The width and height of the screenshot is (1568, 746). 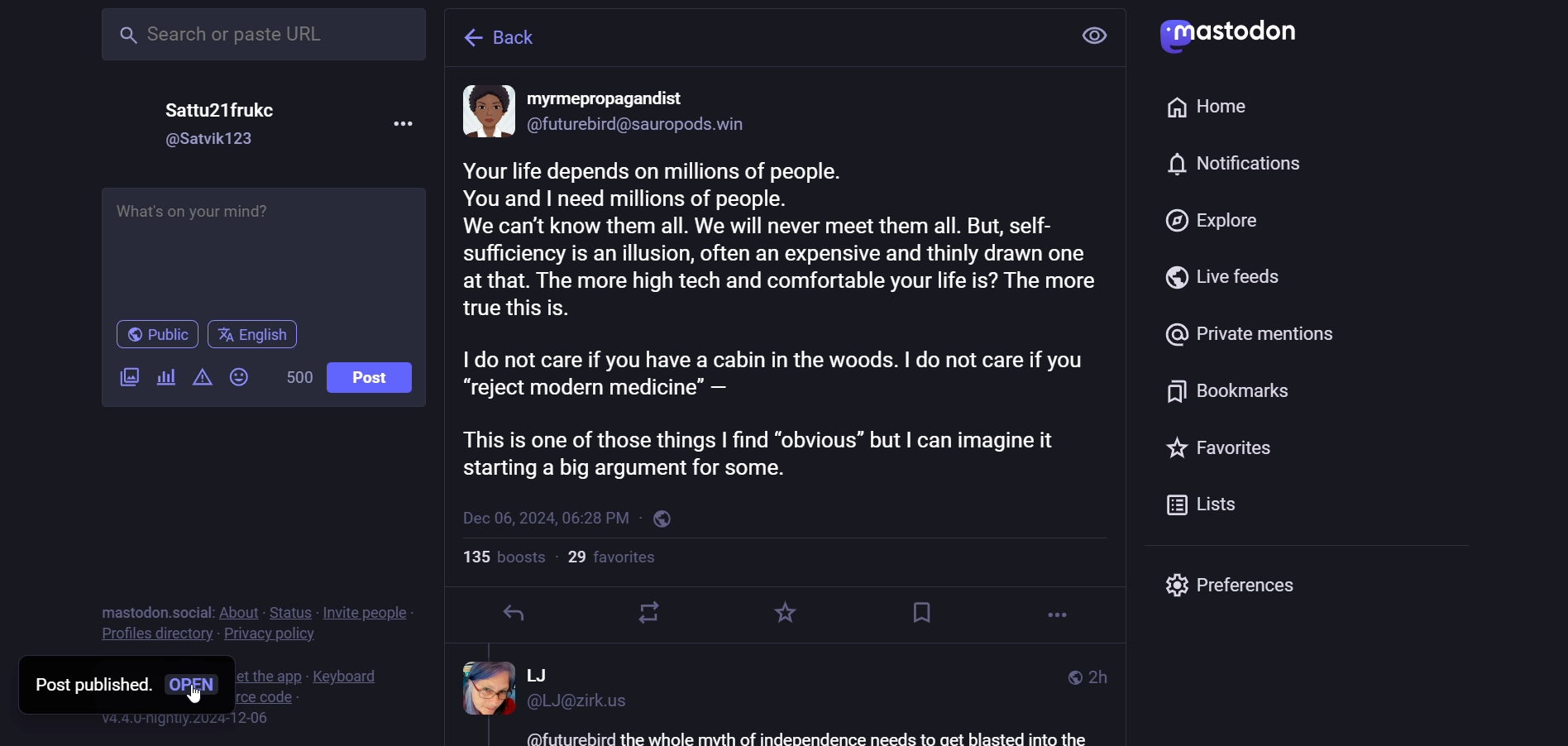 What do you see at coordinates (258, 334) in the screenshot?
I see `english` at bounding box center [258, 334].